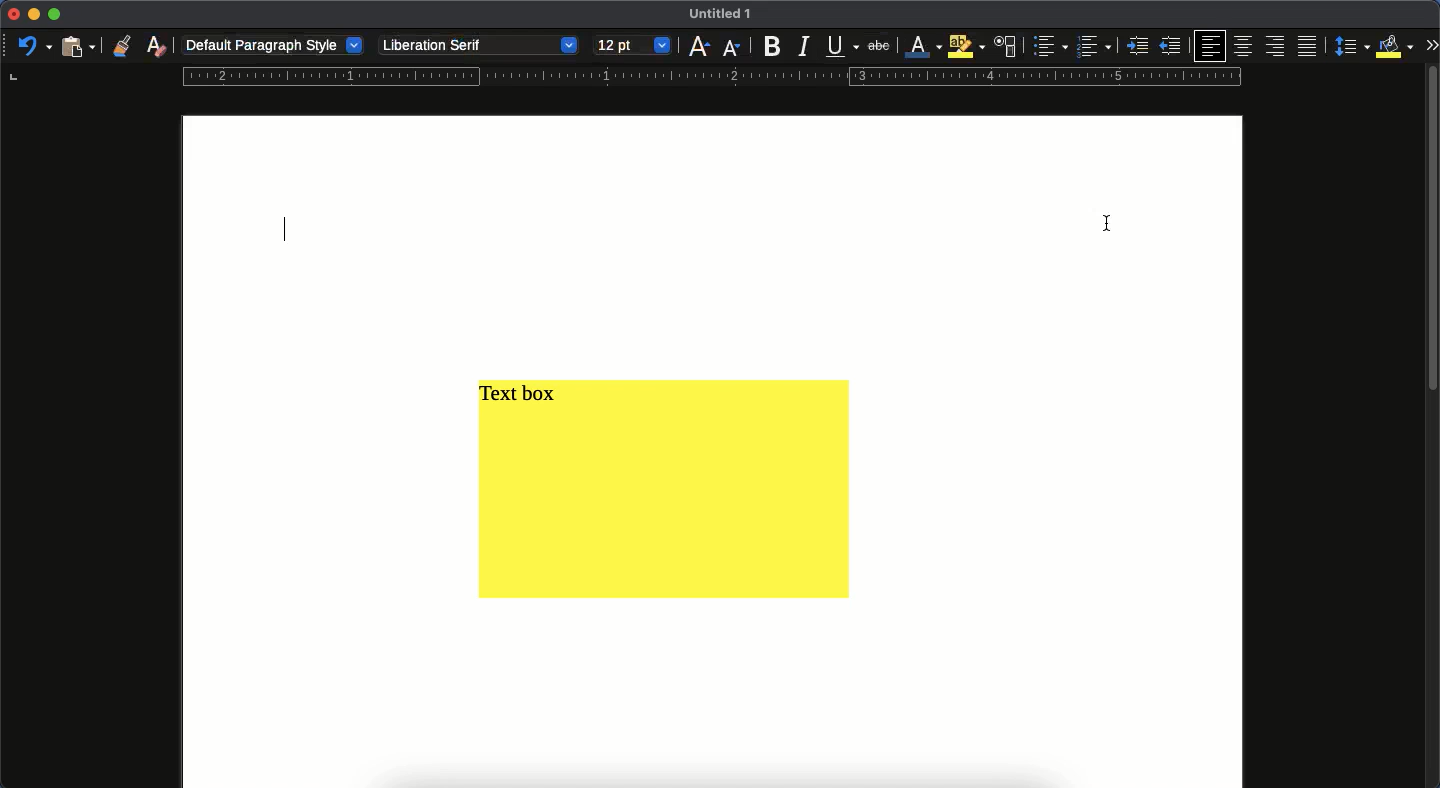 The image size is (1440, 788). What do you see at coordinates (56, 15) in the screenshot?
I see `maximize` at bounding box center [56, 15].